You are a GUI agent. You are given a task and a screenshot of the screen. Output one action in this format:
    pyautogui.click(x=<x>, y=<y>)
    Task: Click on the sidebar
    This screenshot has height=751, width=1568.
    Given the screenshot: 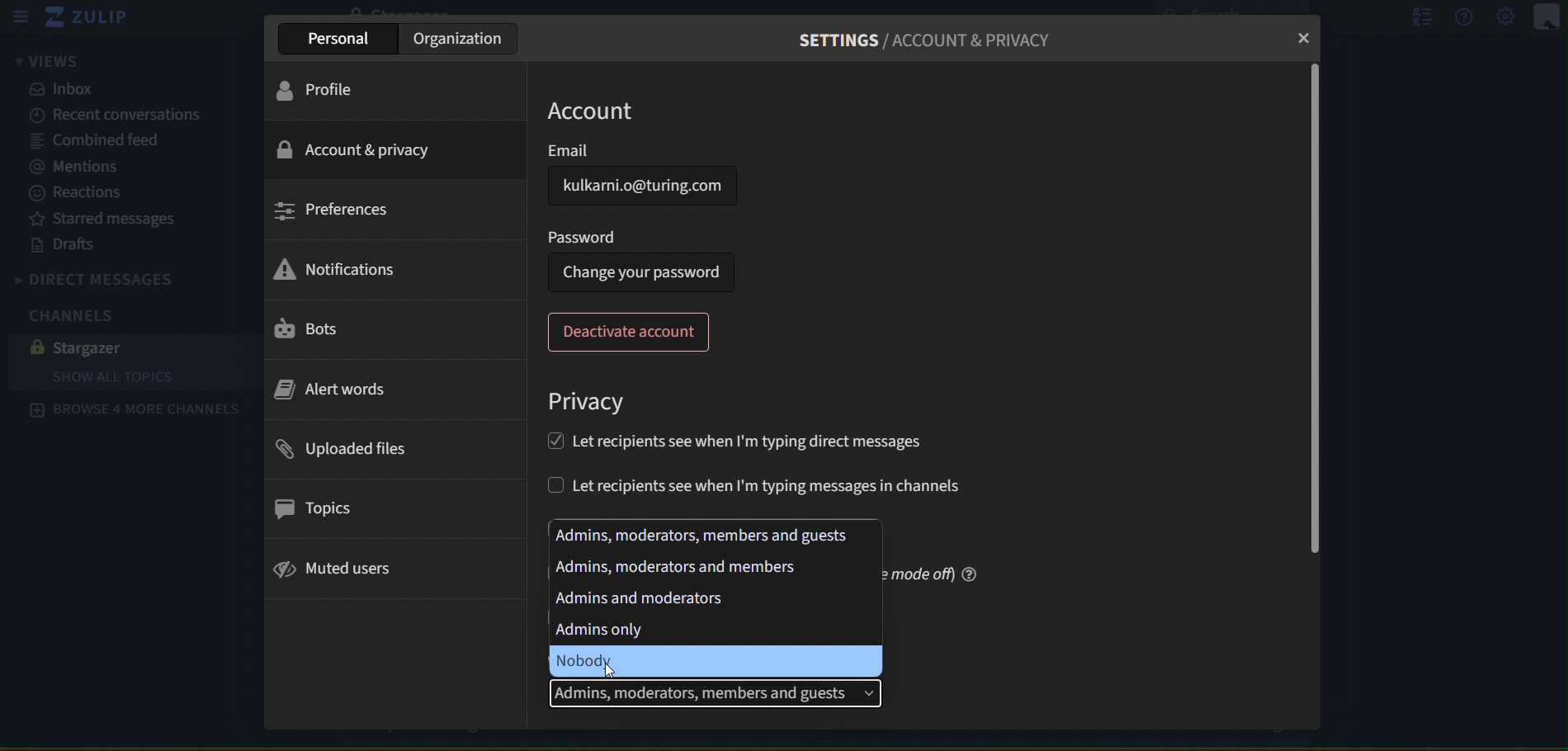 What is the action you would take?
    pyautogui.click(x=20, y=17)
    